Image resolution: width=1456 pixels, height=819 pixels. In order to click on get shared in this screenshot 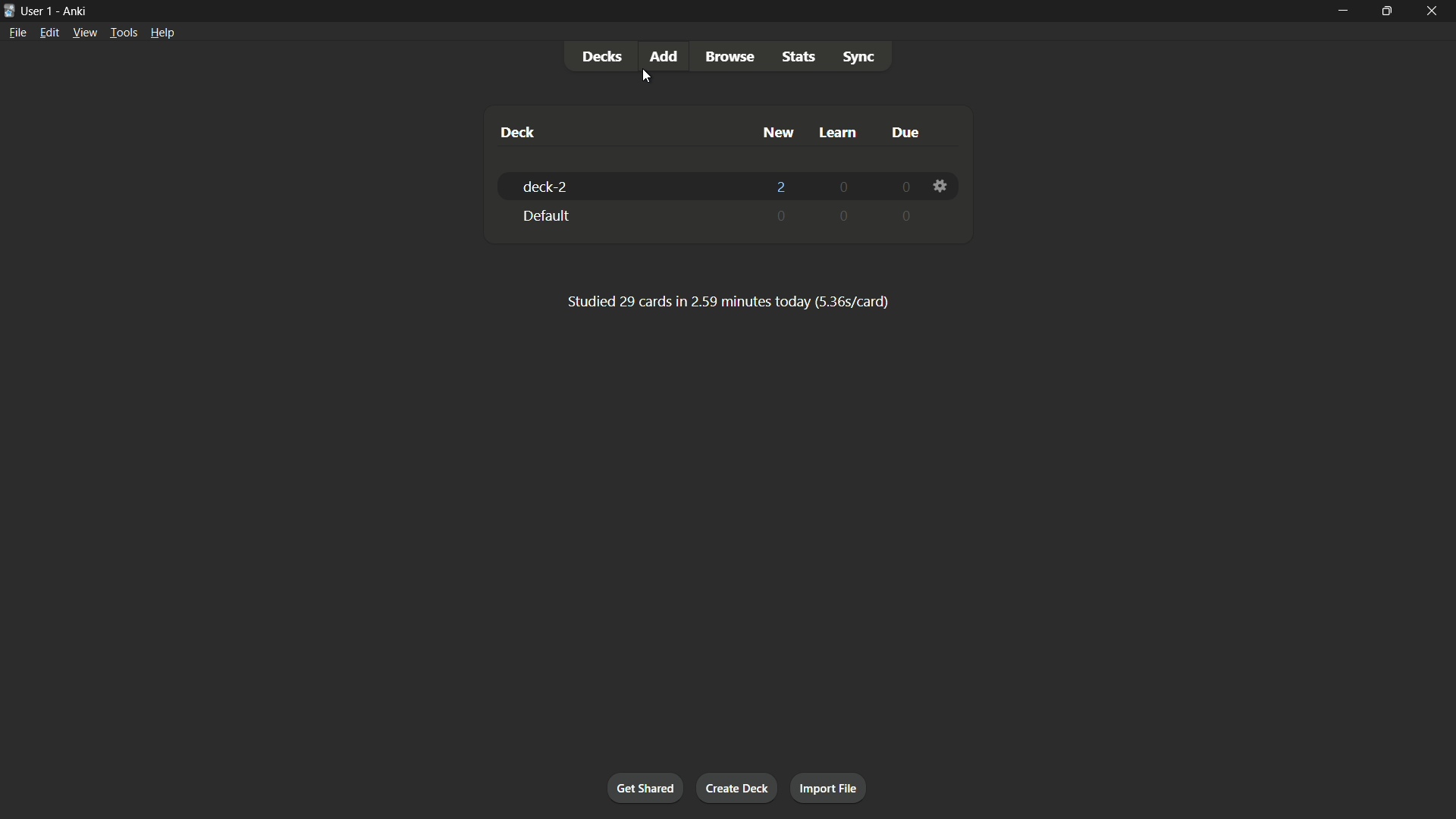, I will do `click(645, 789)`.